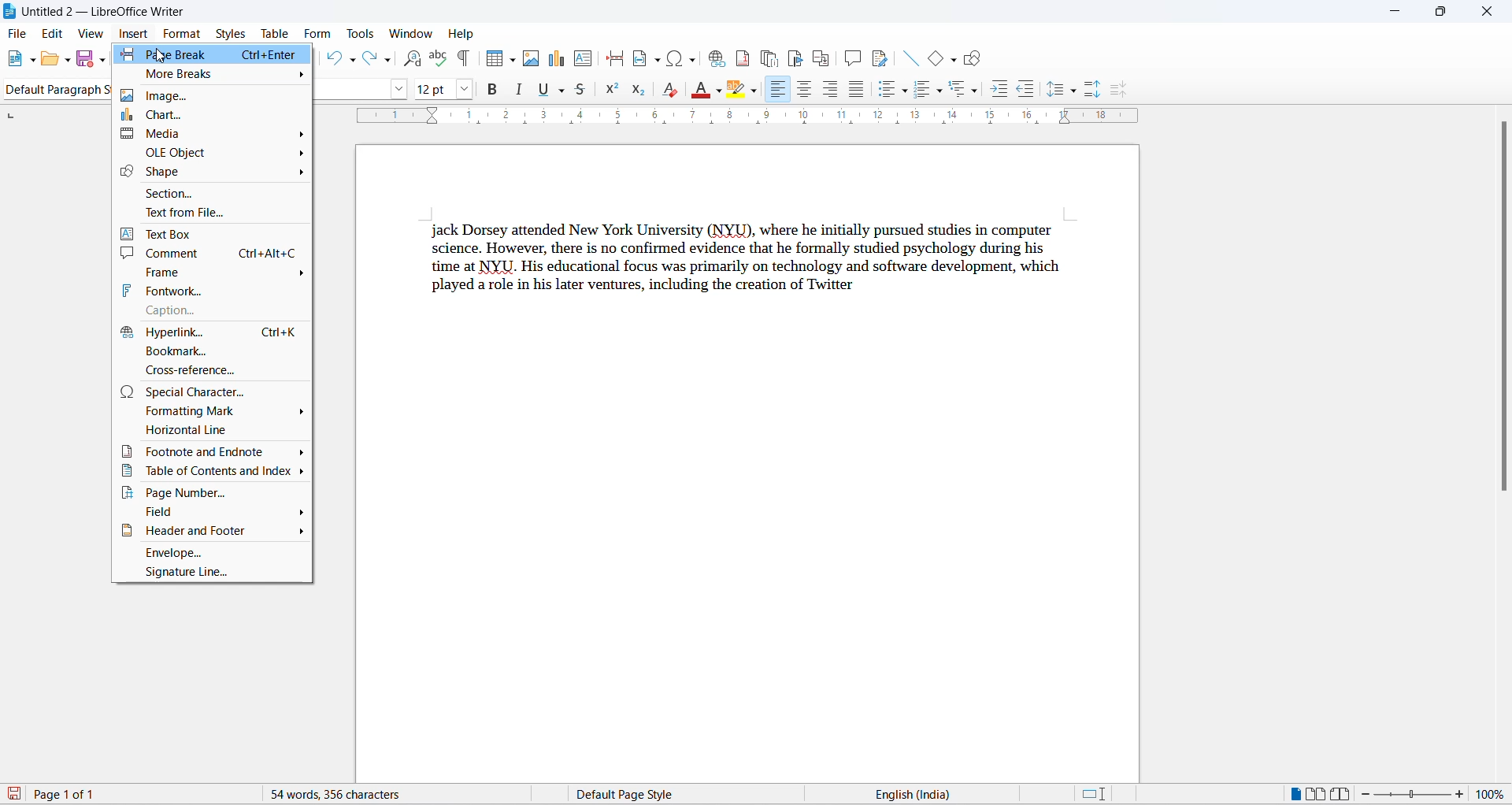 The height and width of the screenshot is (805, 1512). What do you see at coordinates (936, 61) in the screenshot?
I see `basic shapes` at bounding box center [936, 61].